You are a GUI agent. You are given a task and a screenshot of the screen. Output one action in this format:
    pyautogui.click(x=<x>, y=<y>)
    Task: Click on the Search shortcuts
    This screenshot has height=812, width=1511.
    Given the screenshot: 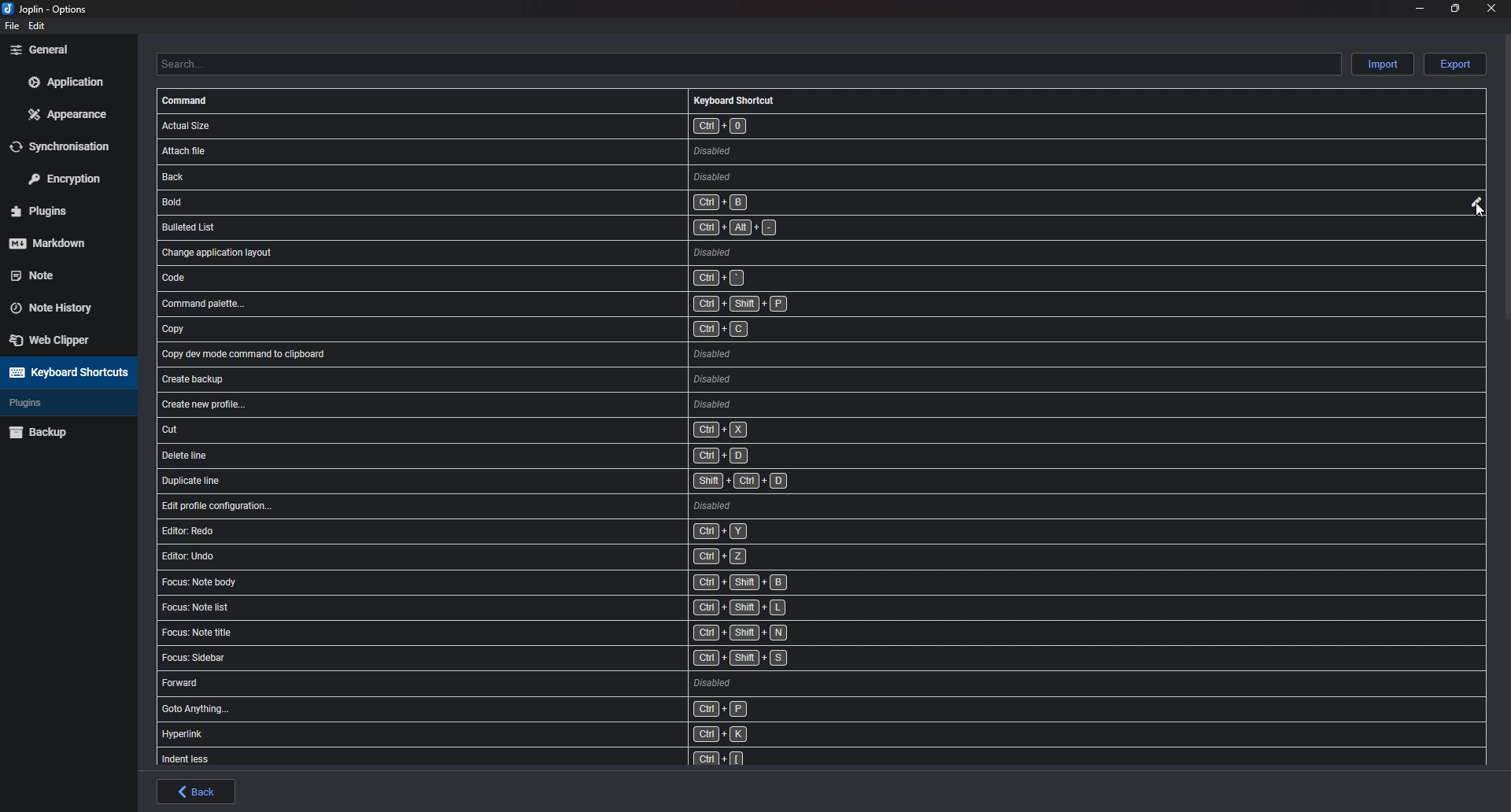 What is the action you would take?
    pyautogui.click(x=748, y=64)
    